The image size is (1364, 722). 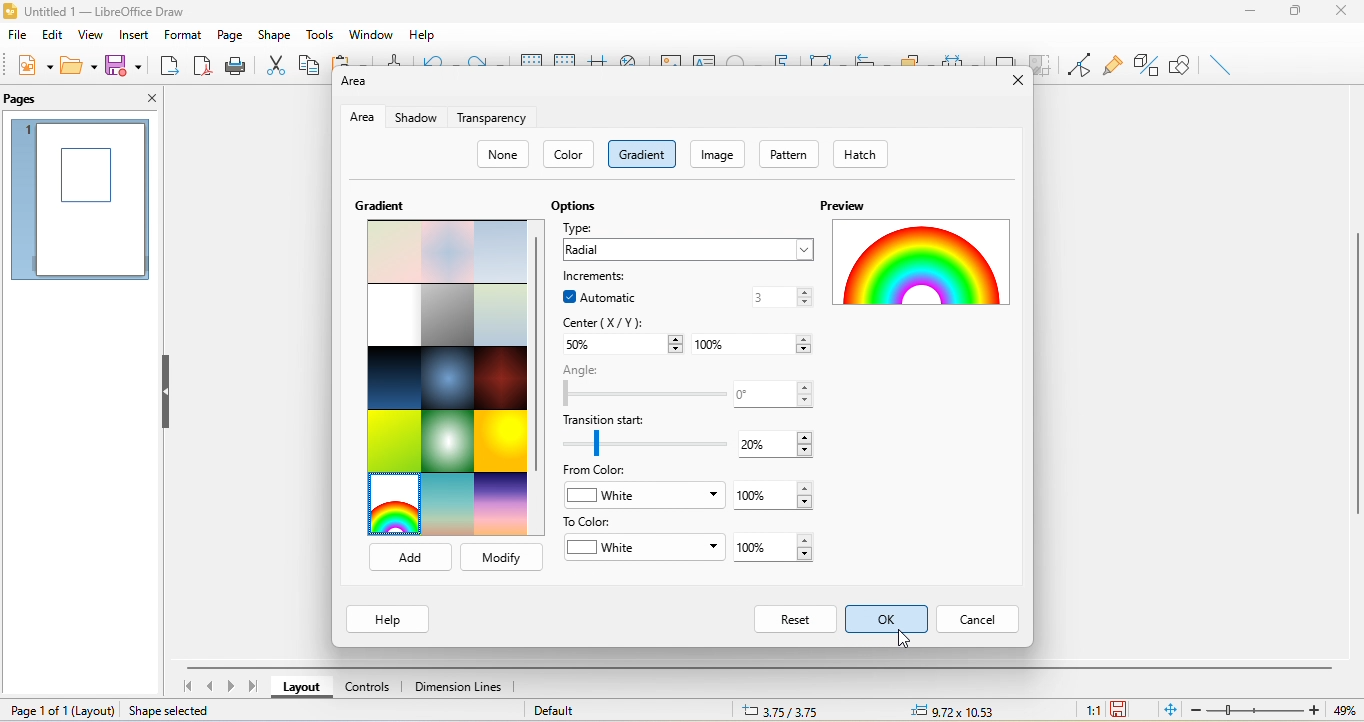 I want to click on minimize, so click(x=1250, y=13).